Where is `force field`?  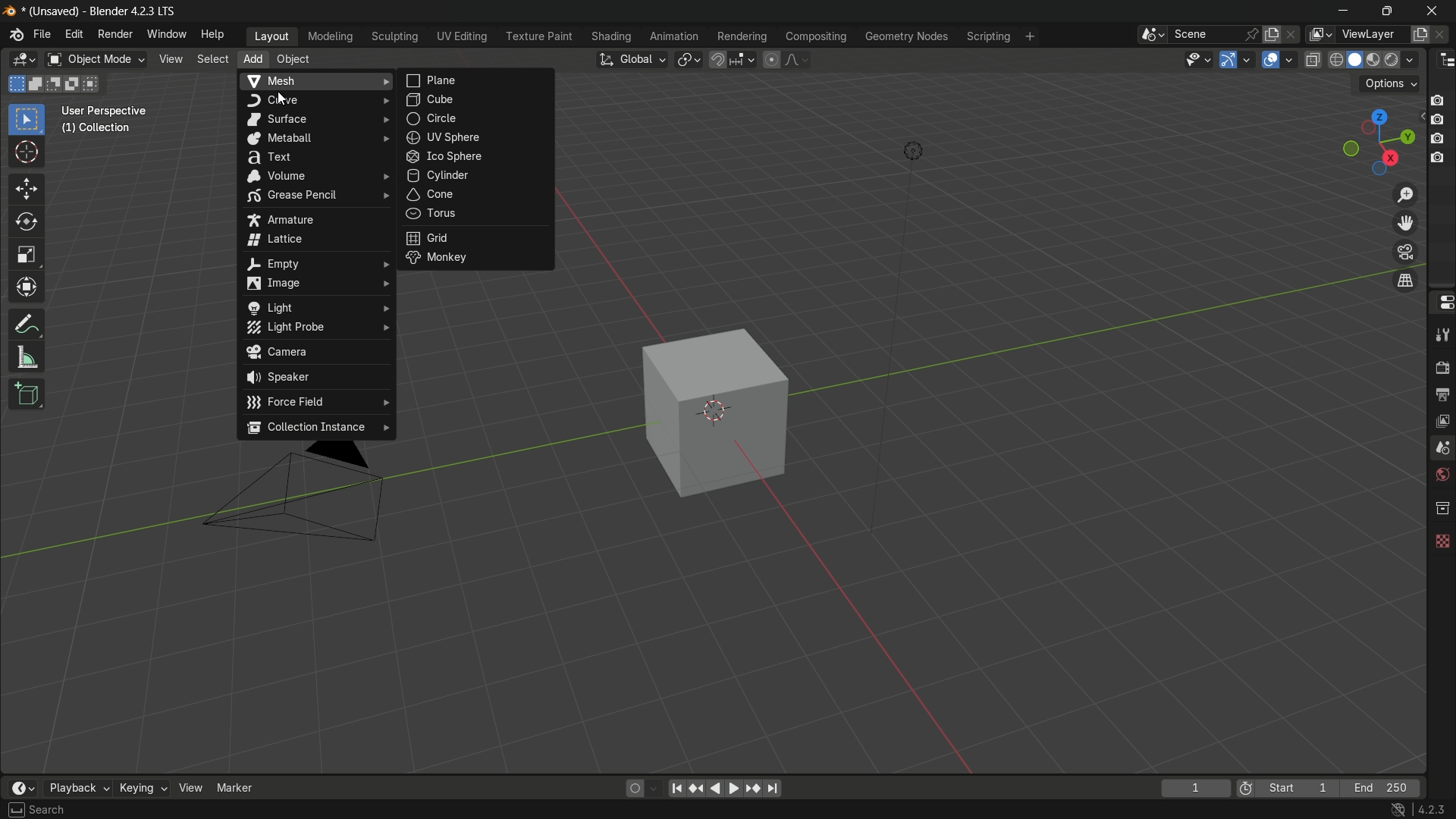
force field is located at coordinates (318, 405).